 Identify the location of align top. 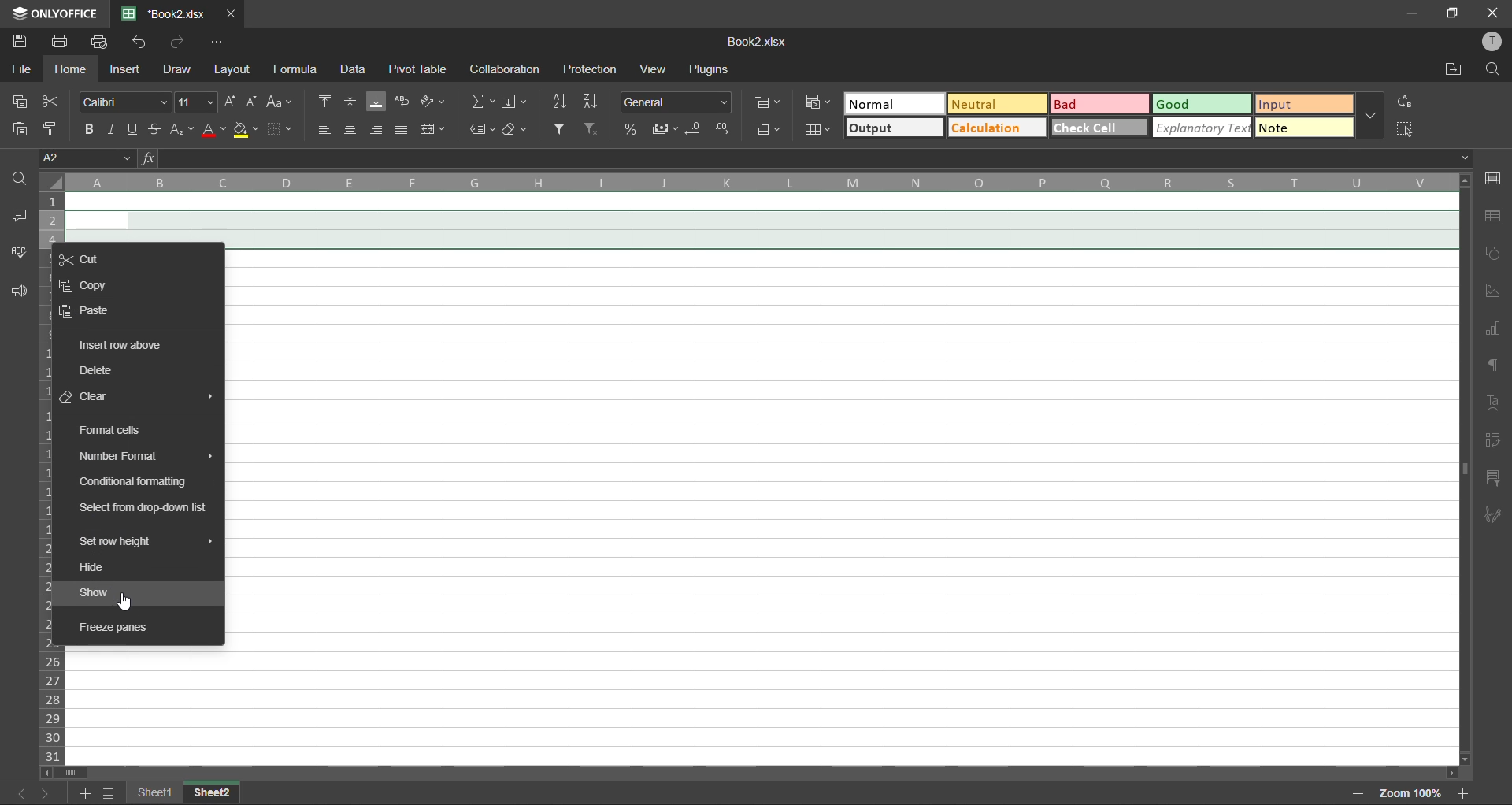
(328, 101).